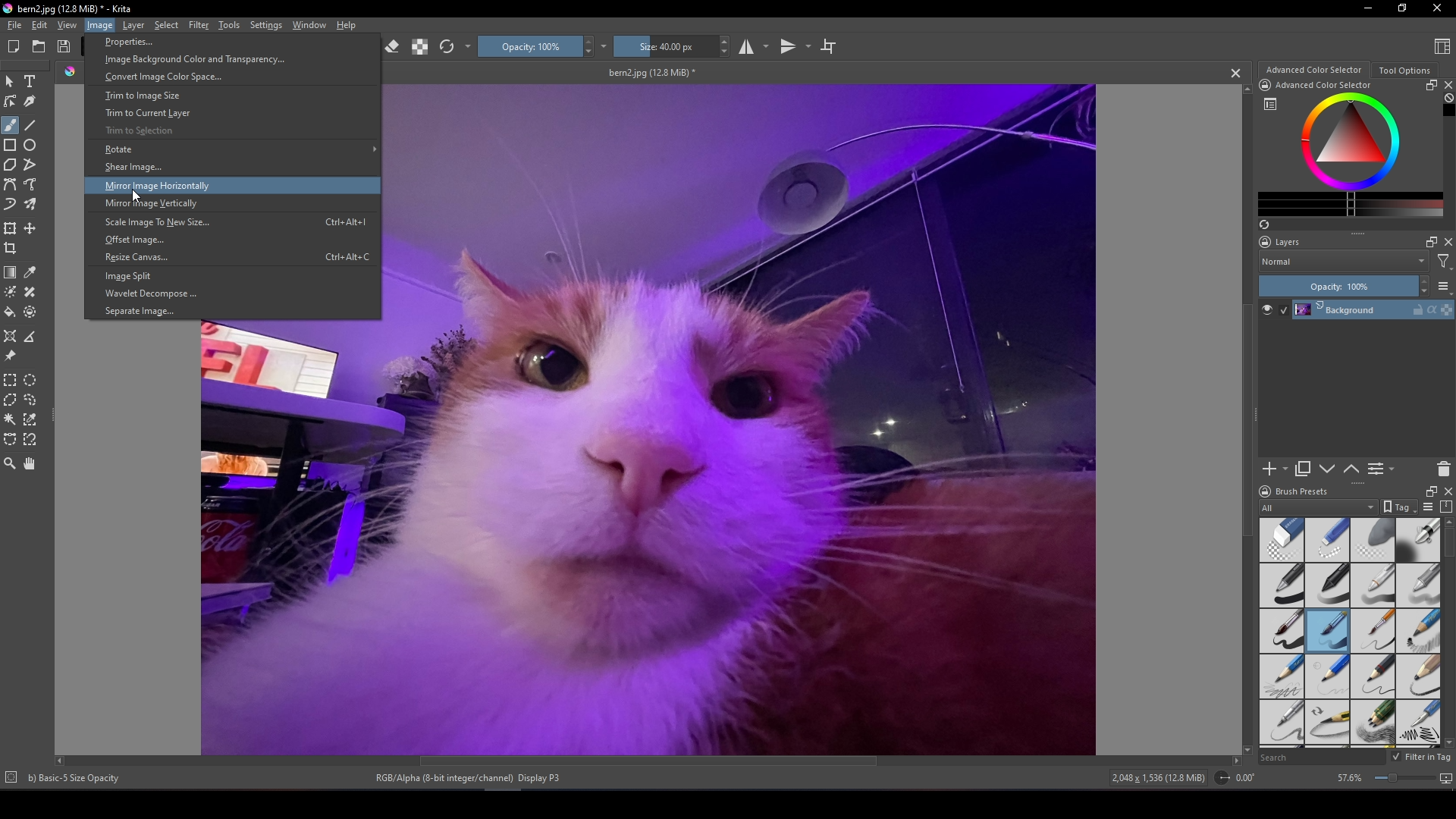 The height and width of the screenshot is (819, 1456). Describe the element at coordinates (1247, 419) in the screenshot. I see `Vertical scroll` at that location.